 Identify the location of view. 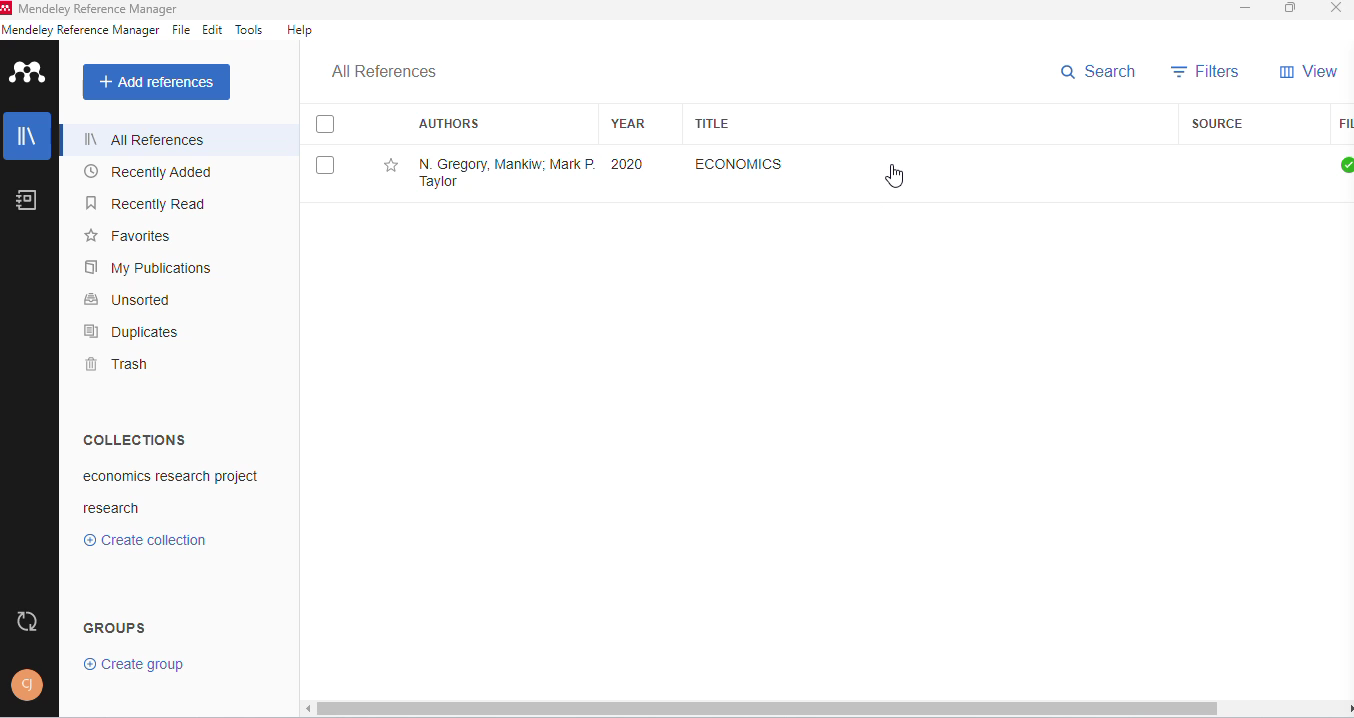
(1308, 72).